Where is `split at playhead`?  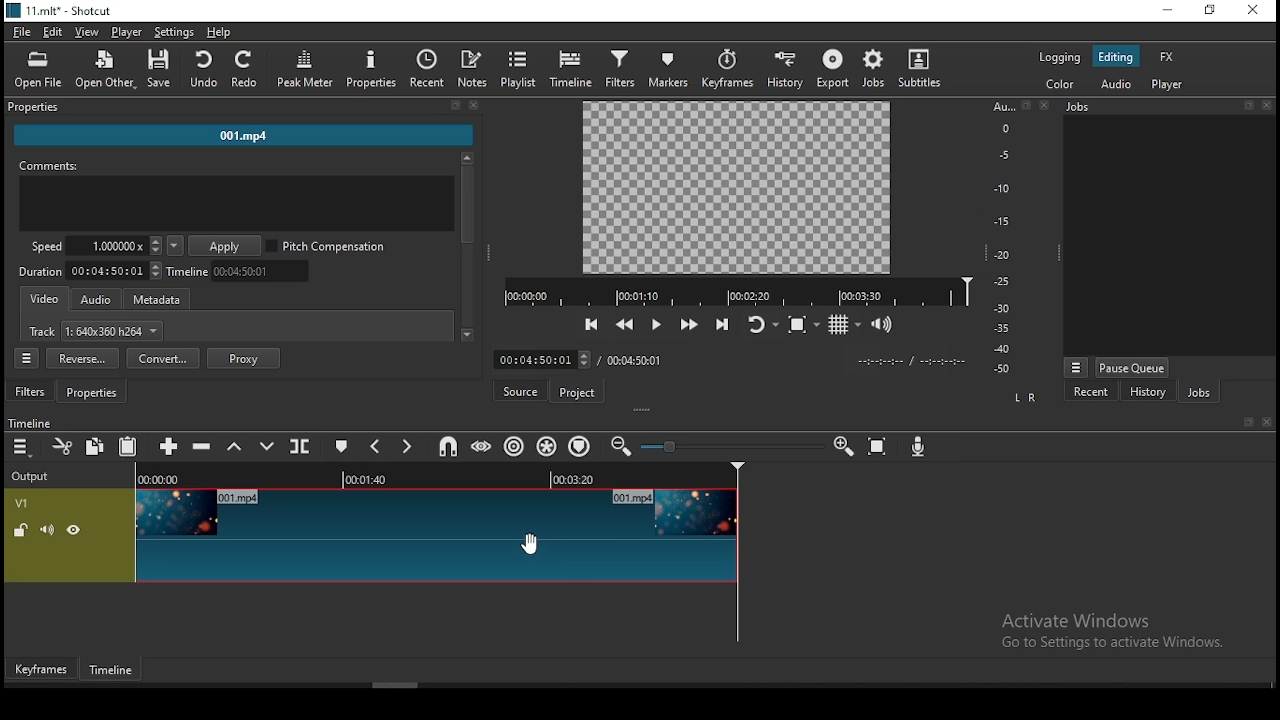 split at playhead is located at coordinates (299, 447).